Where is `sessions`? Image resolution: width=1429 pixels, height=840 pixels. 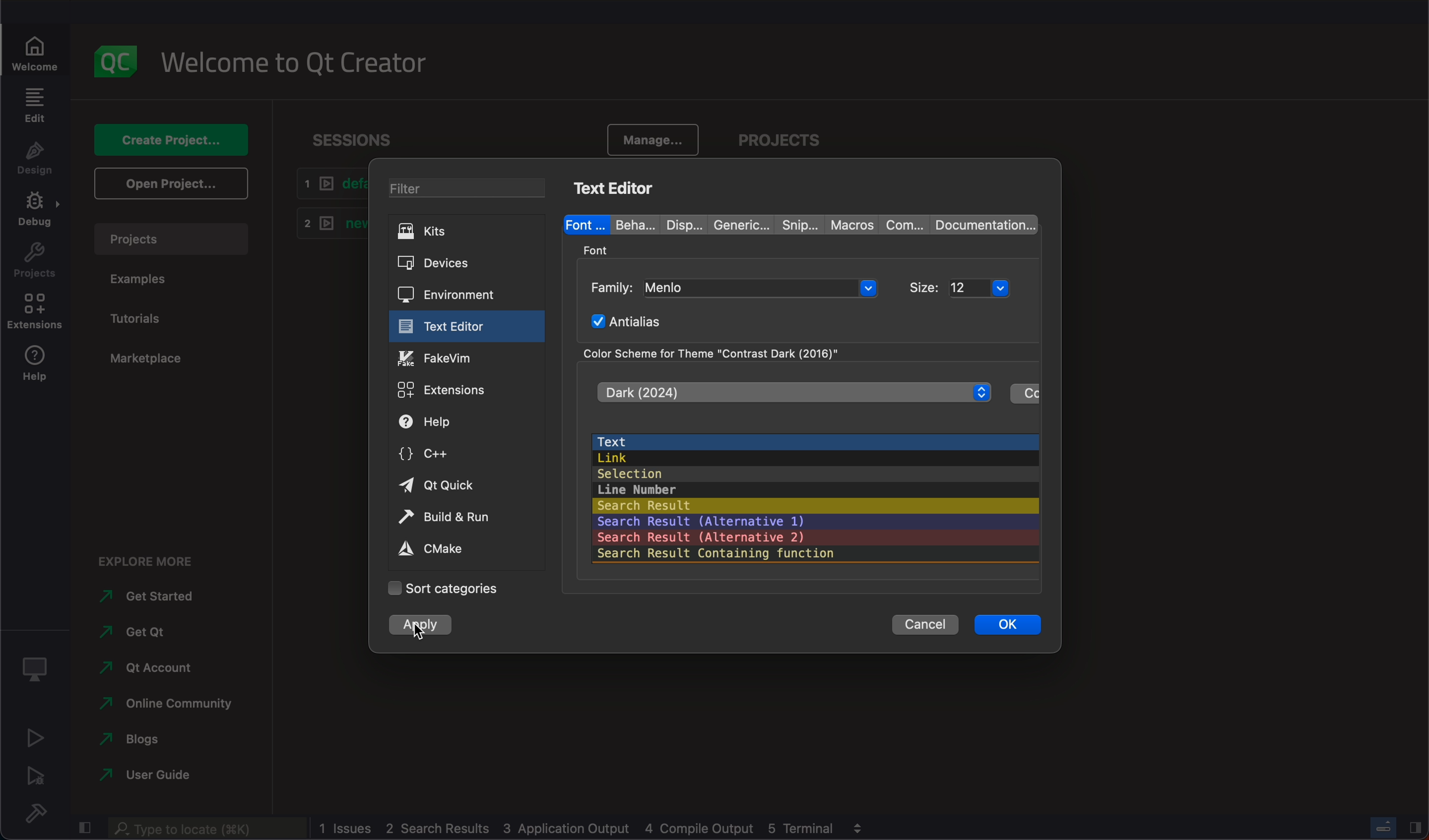
sessions is located at coordinates (356, 136).